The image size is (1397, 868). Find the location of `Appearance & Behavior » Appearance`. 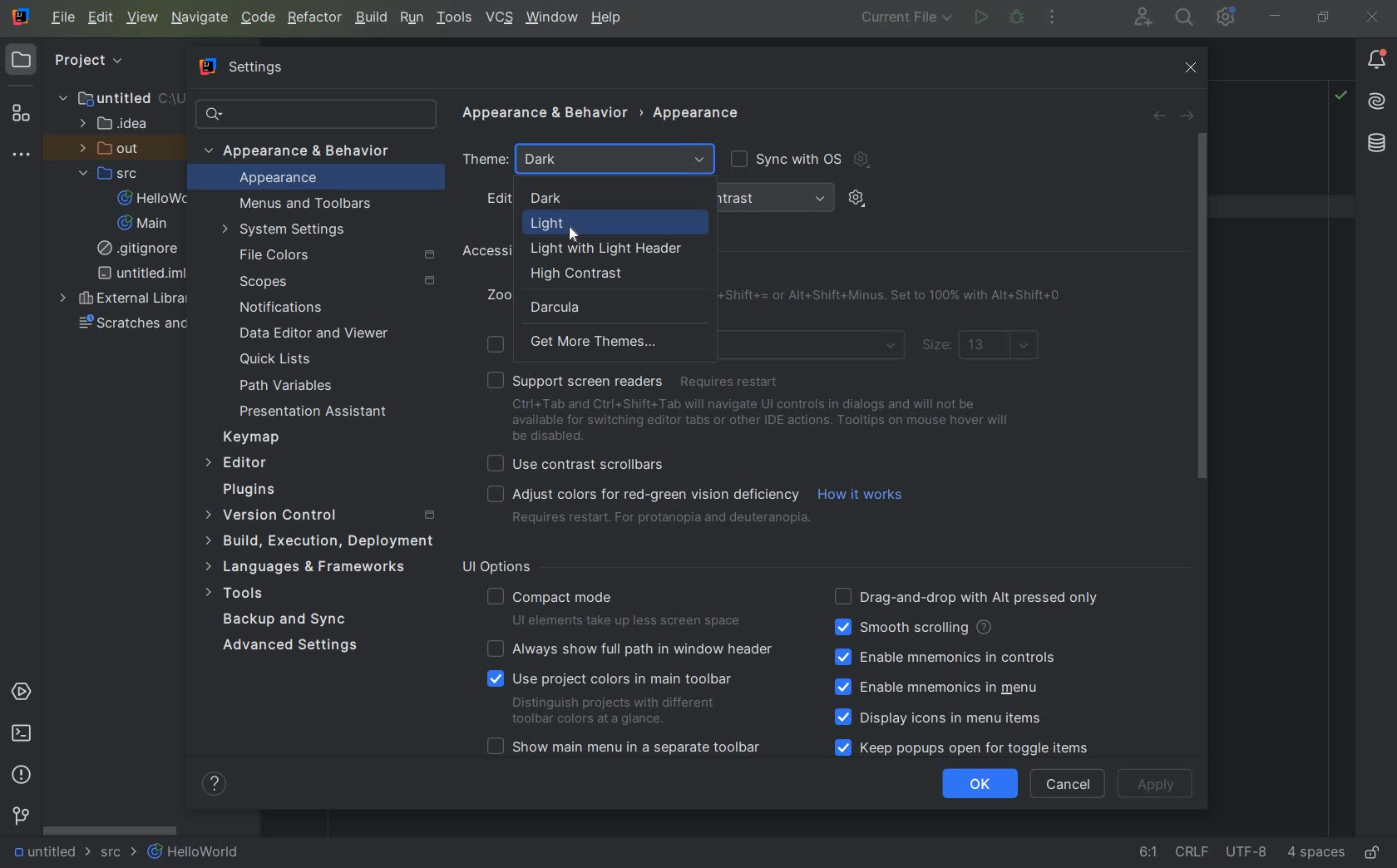

Appearance & Behavior » Appearance is located at coordinates (618, 111).